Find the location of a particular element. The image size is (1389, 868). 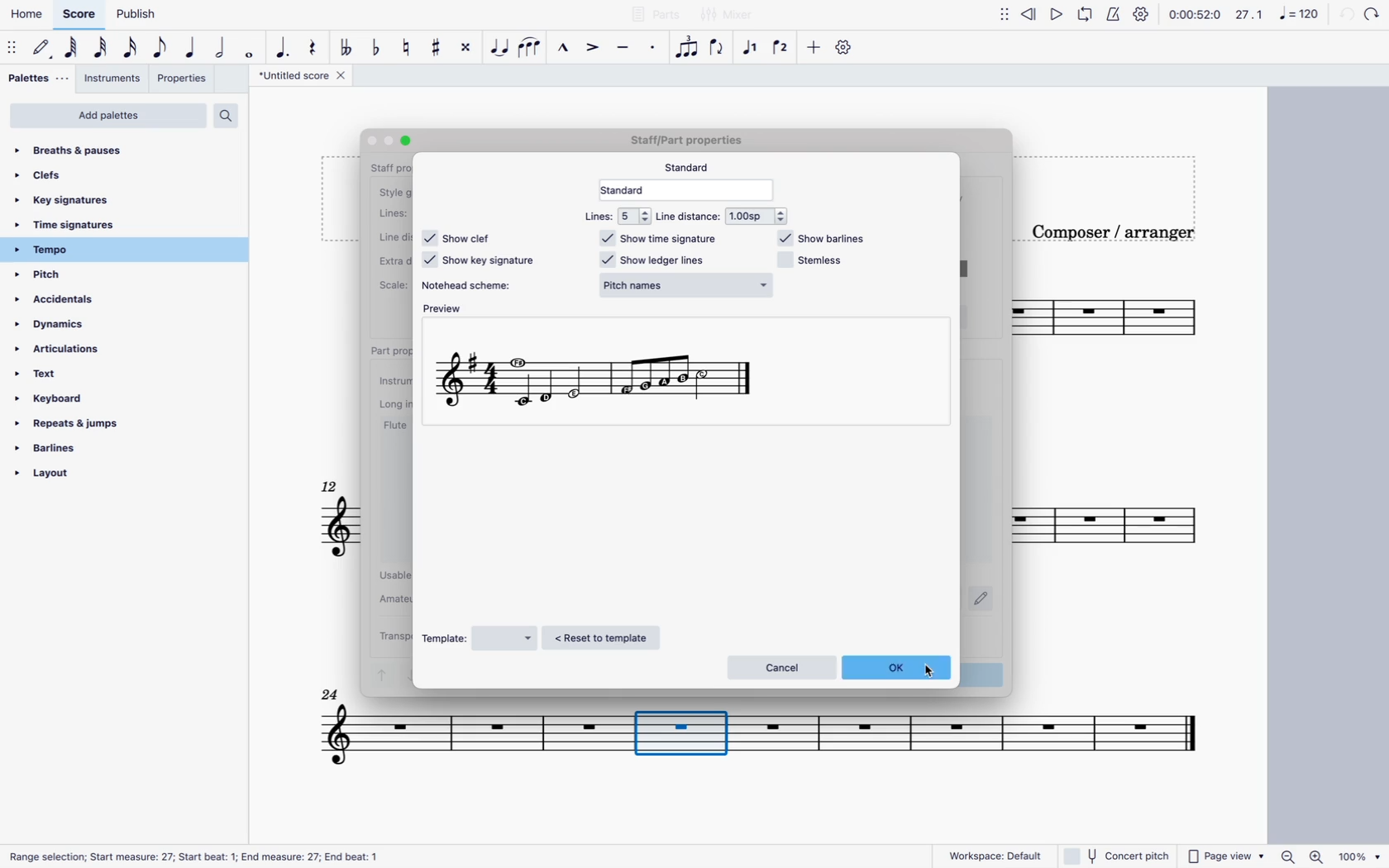

cancel is located at coordinates (780, 666).